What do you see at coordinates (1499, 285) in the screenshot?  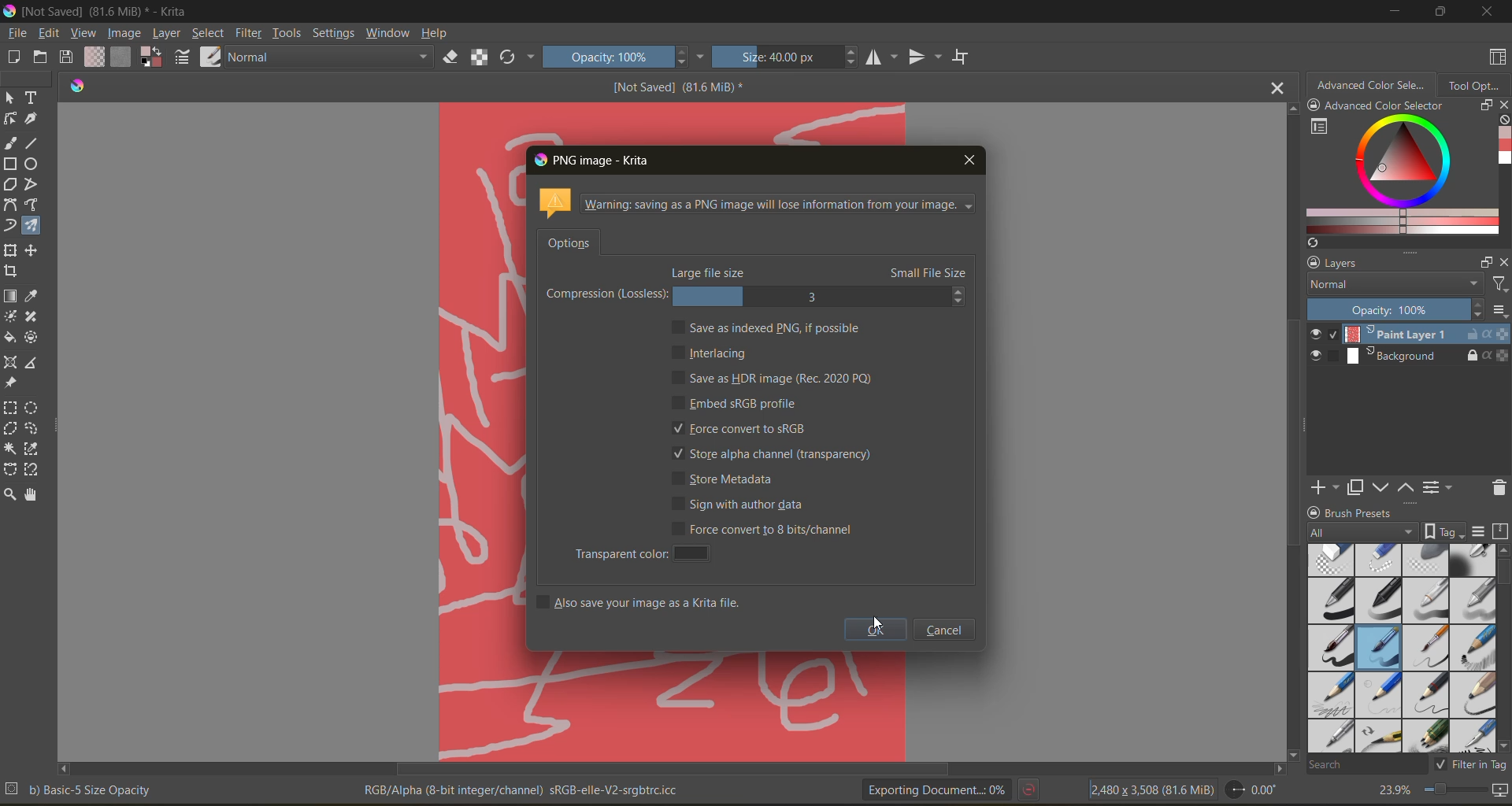 I see `filters` at bounding box center [1499, 285].